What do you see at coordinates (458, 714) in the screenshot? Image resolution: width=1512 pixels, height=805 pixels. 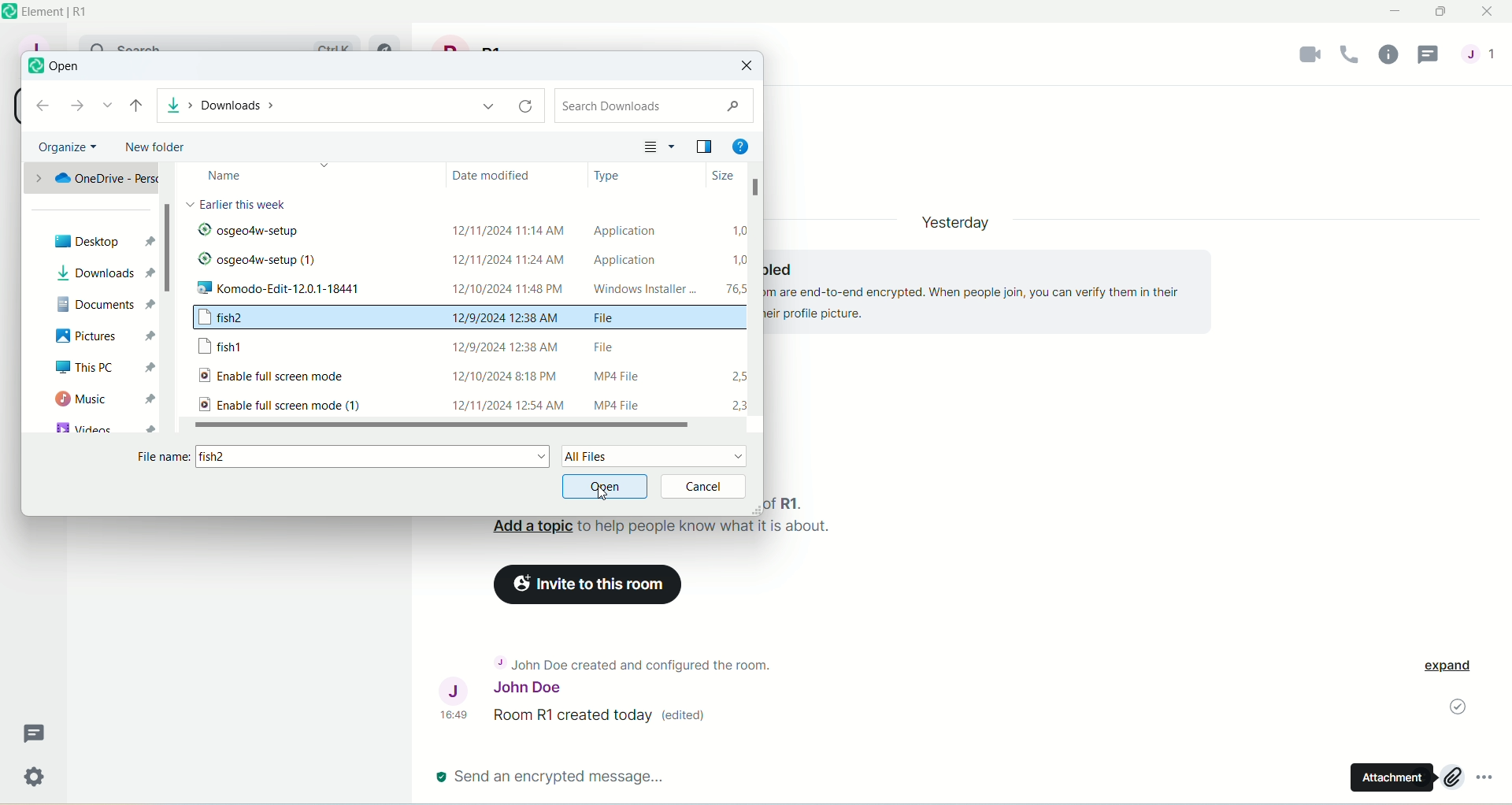 I see `time` at bounding box center [458, 714].